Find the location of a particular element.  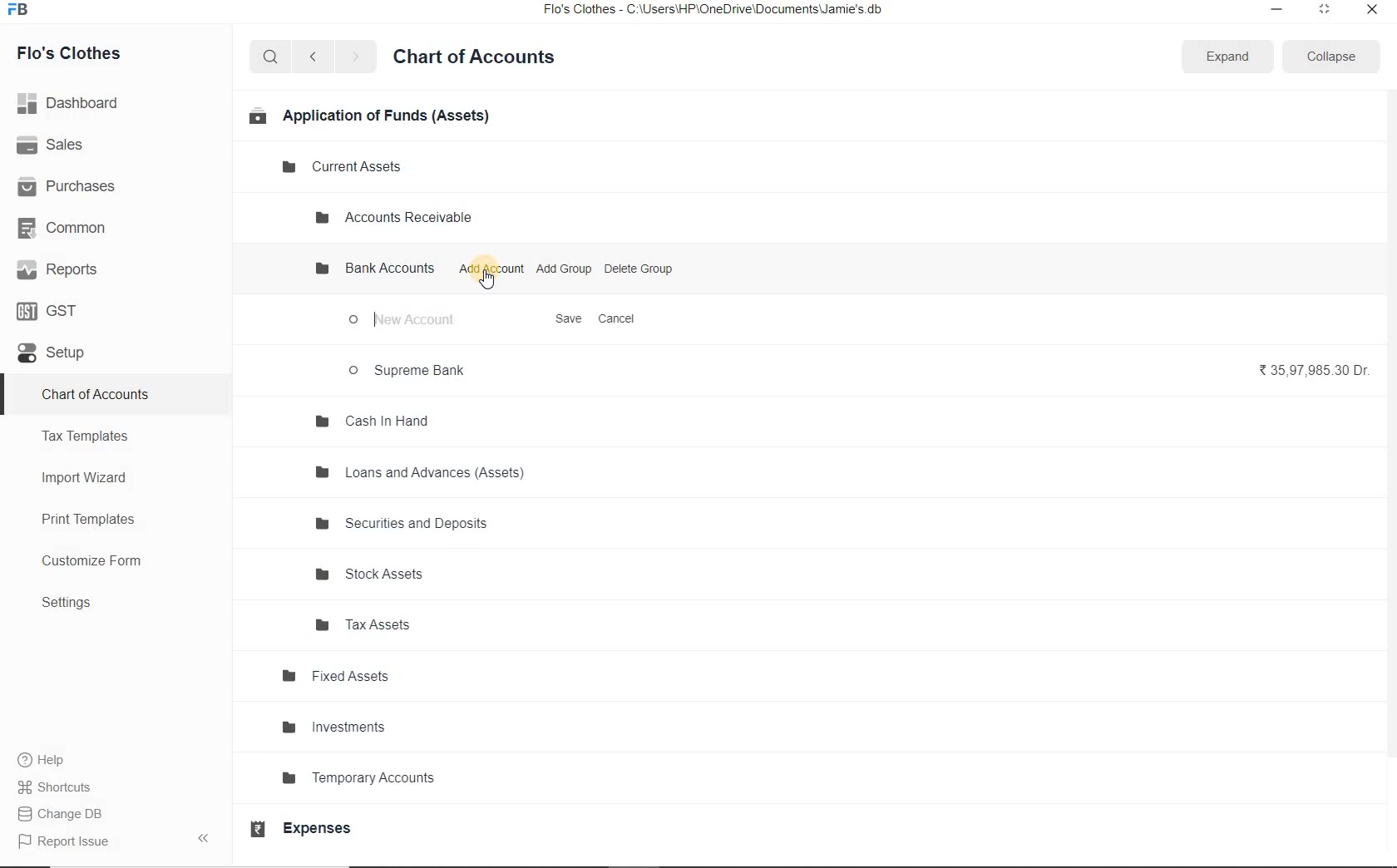

Add Group is located at coordinates (565, 269).